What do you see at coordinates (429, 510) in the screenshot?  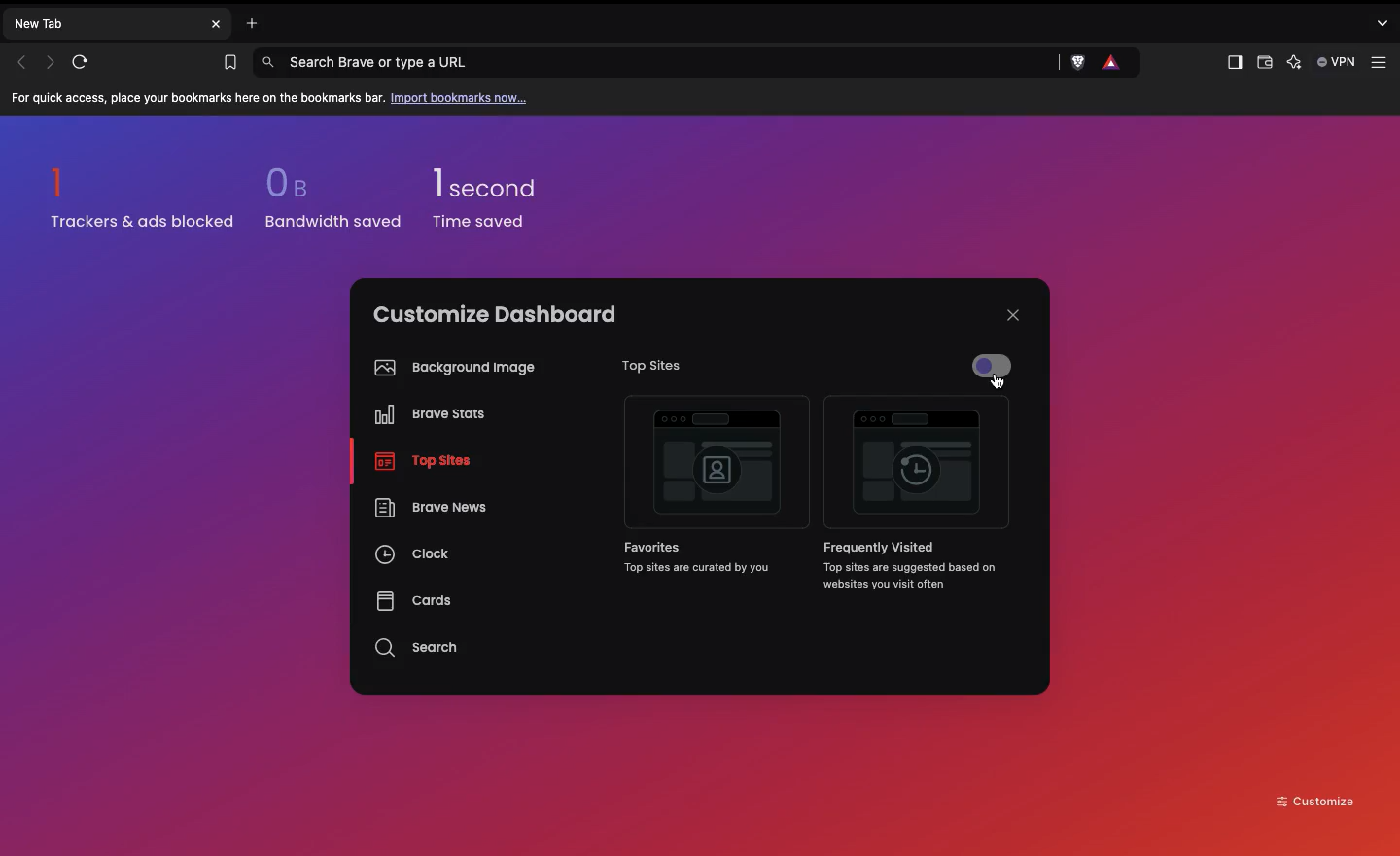 I see `Brave news` at bounding box center [429, 510].